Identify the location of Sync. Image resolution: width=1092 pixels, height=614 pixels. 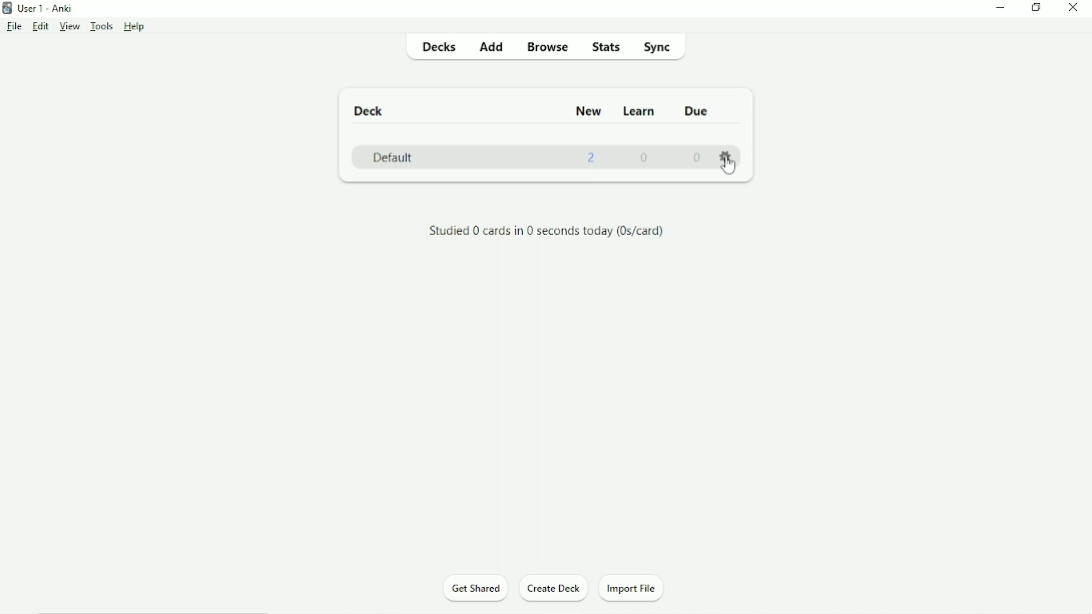
(659, 48).